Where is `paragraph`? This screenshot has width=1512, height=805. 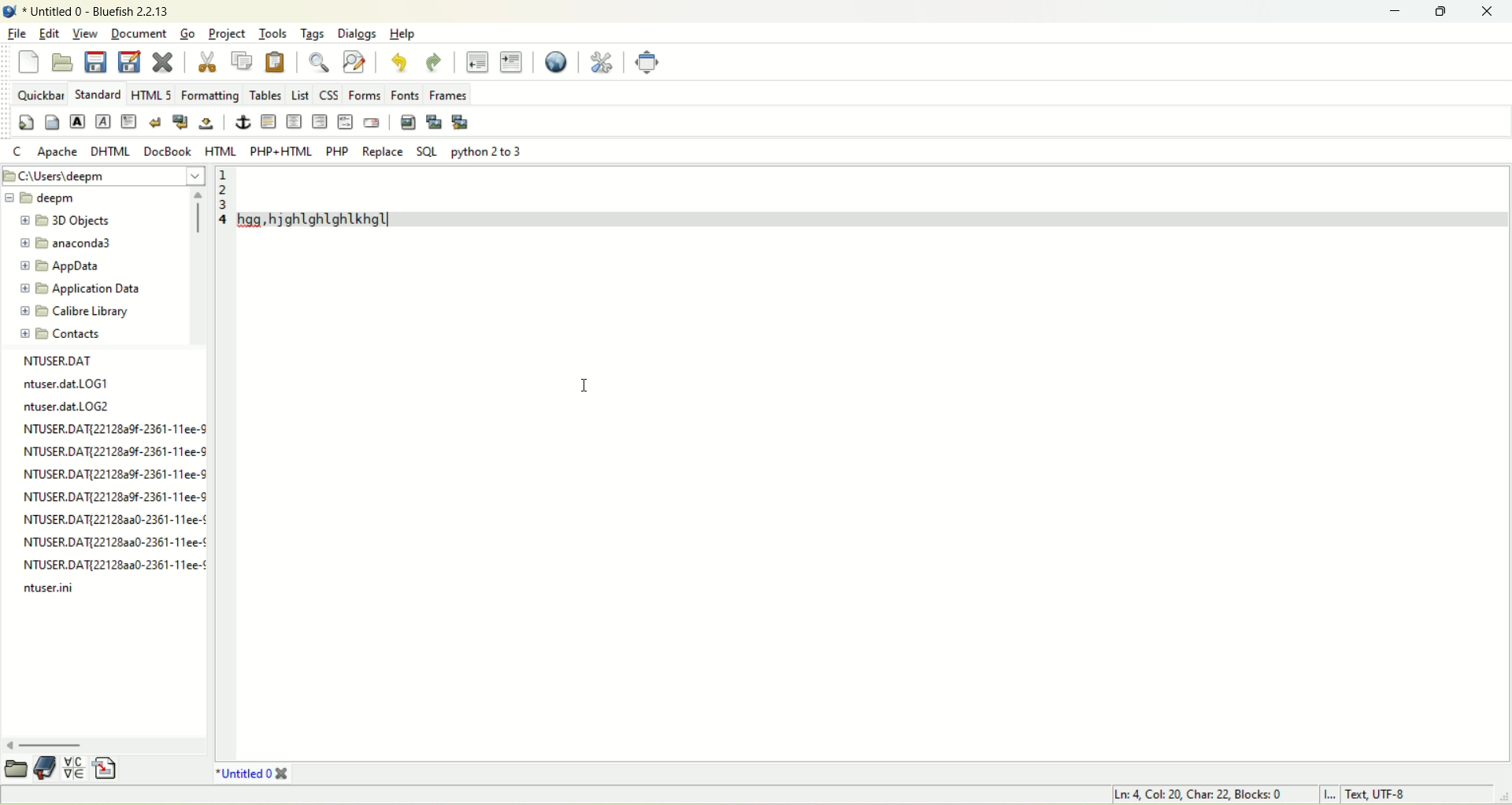
paragraph is located at coordinates (128, 121).